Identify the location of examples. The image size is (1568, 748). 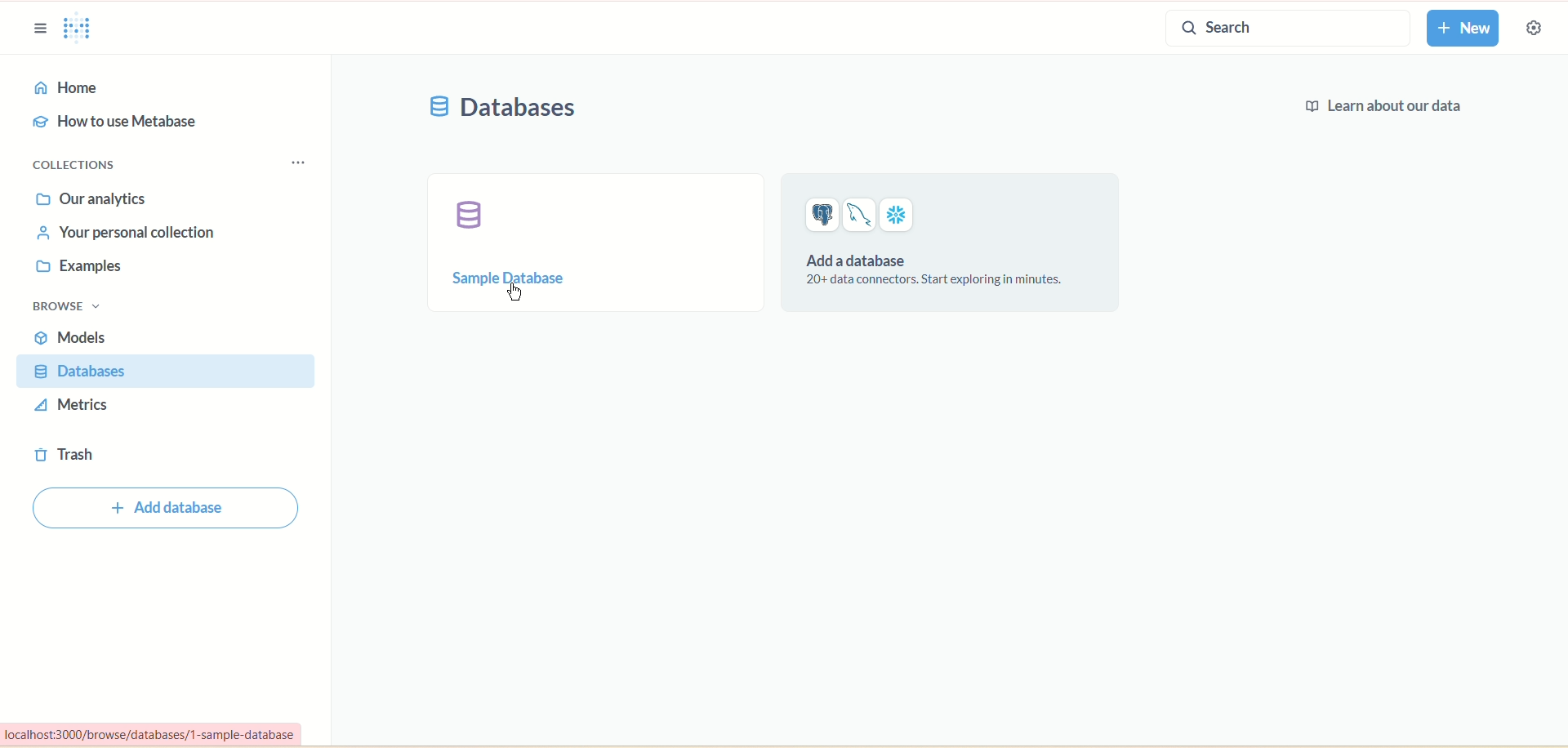
(73, 268).